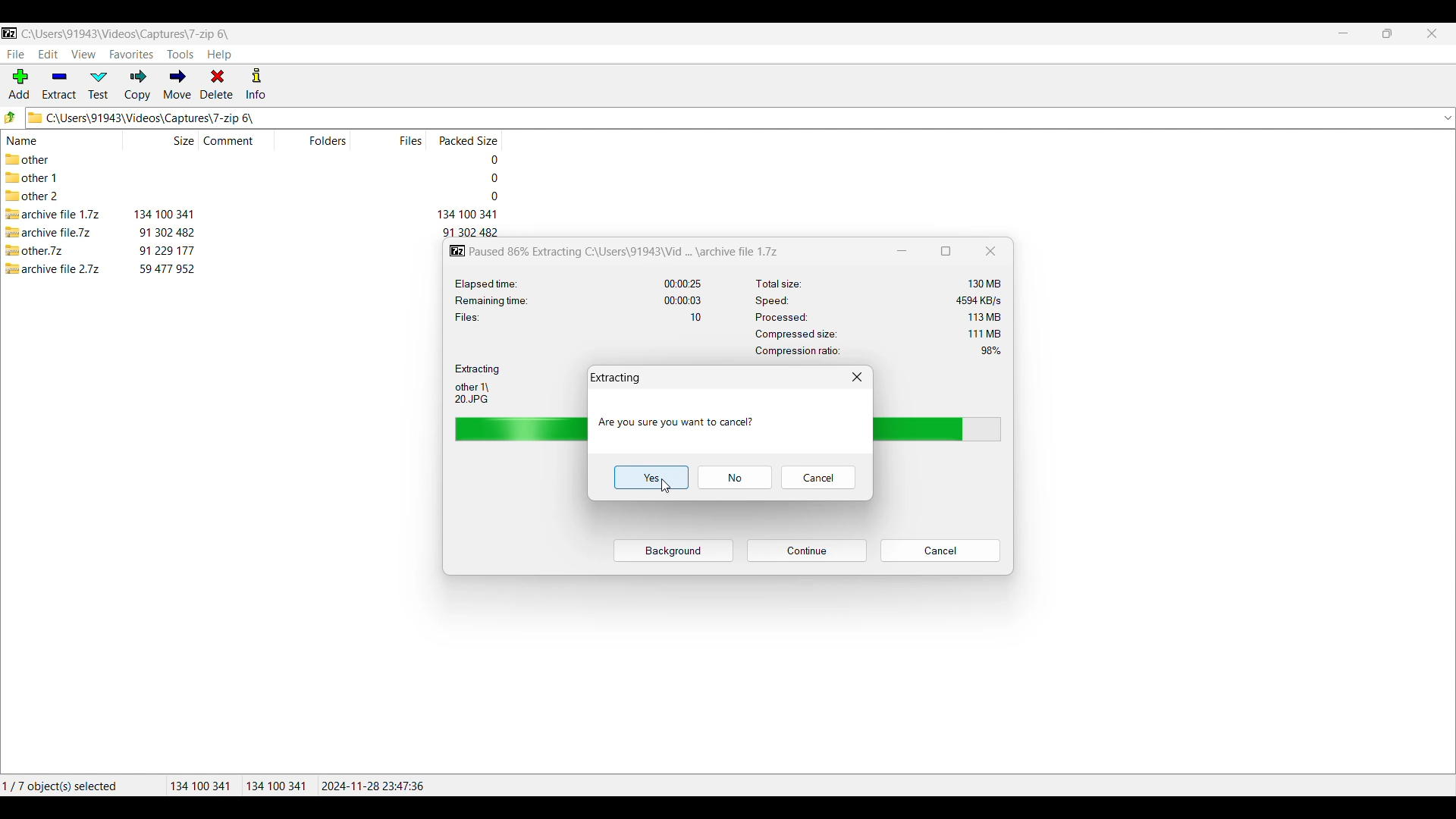  What do you see at coordinates (122, 34) in the screenshot?
I see `C:\Users\91943\Videos\Captures\7-zip 6\` at bounding box center [122, 34].